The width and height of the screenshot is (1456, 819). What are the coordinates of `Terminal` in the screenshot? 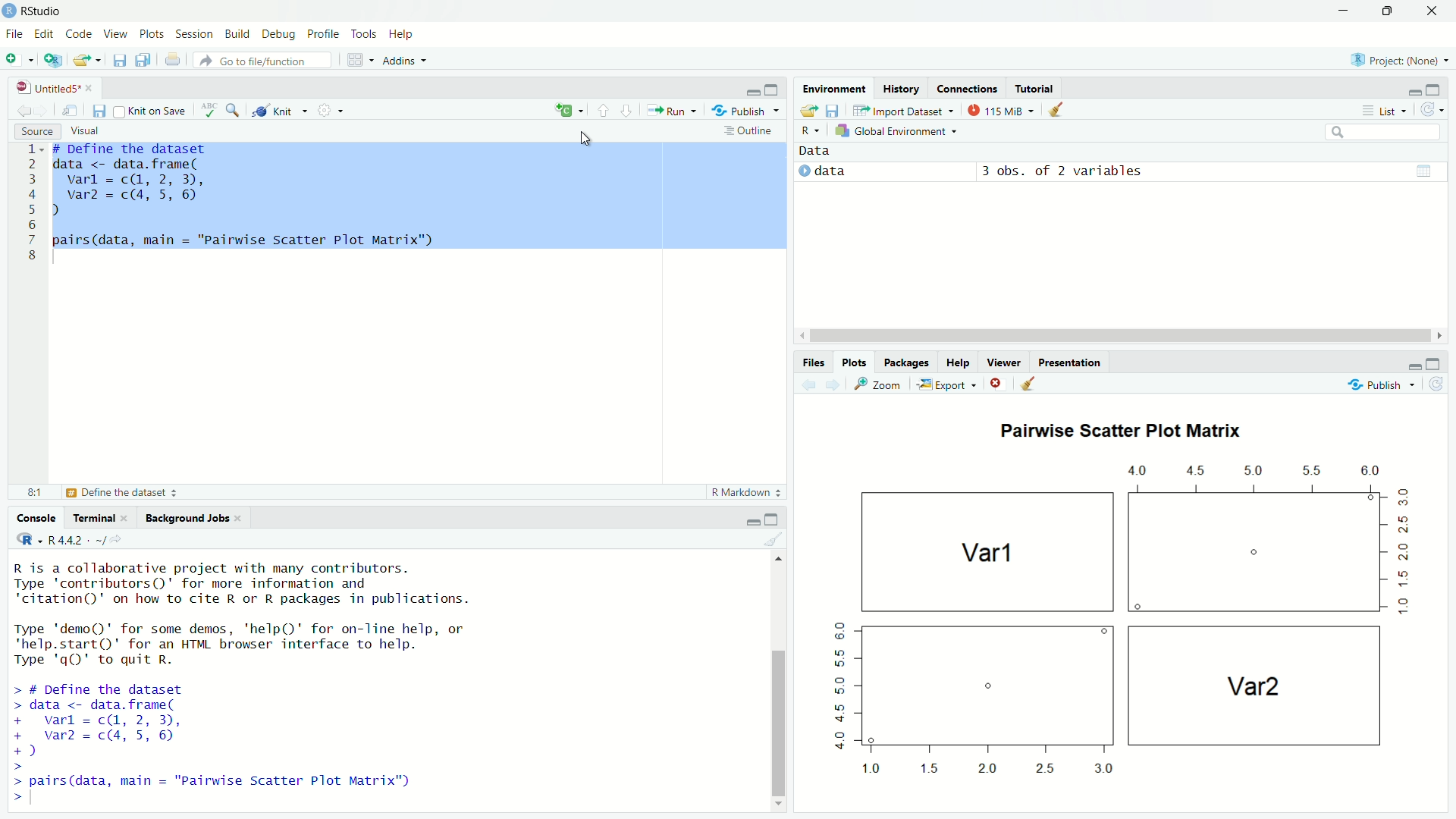 It's located at (99, 516).